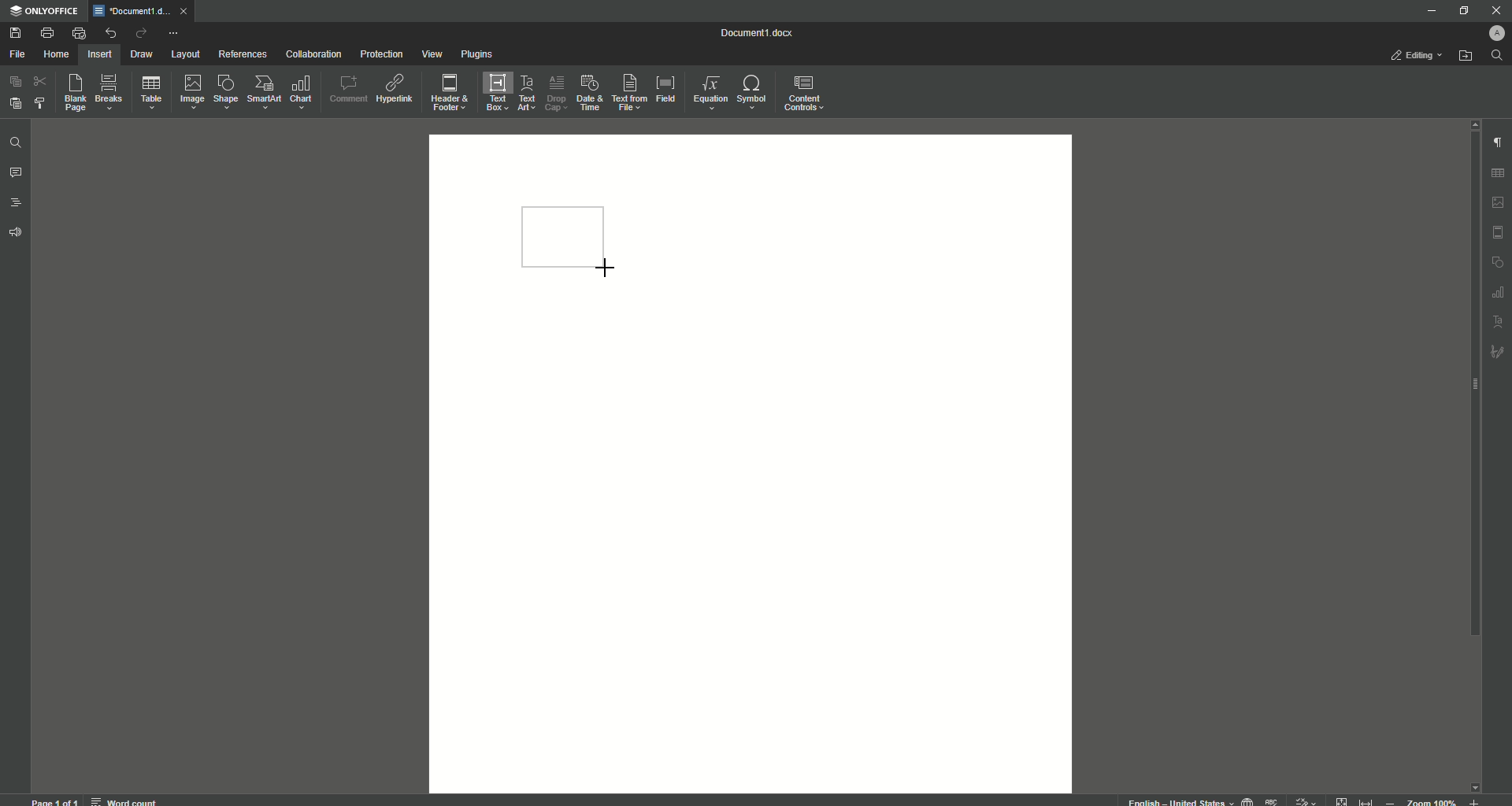 The height and width of the screenshot is (806, 1512). What do you see at coordinates (264, 92) in the screenshot?
I see `SmartArt` at bounding box center [264, 92].